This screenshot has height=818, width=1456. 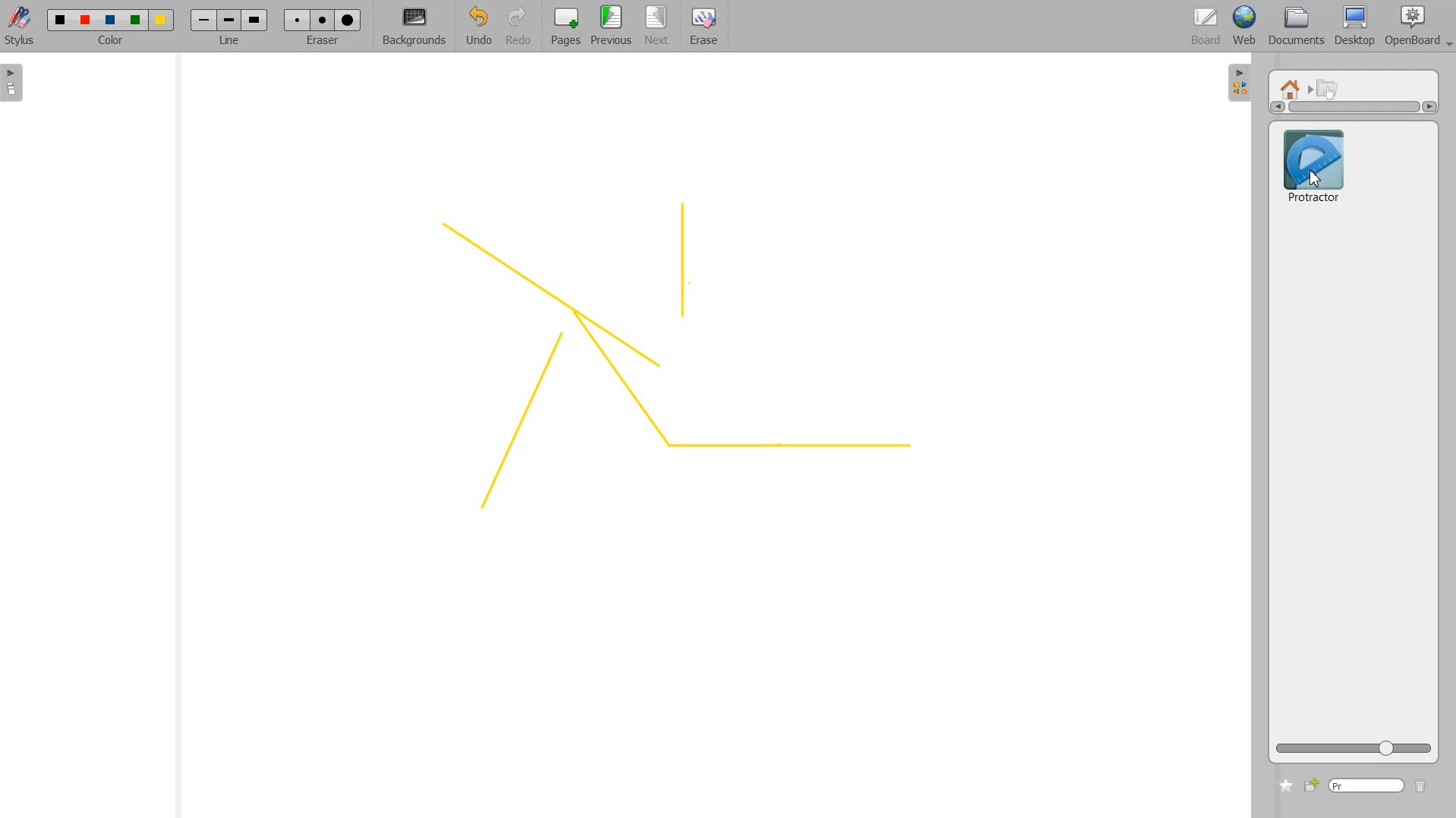 I want to click on Type window, so click(x=1366, y=786).